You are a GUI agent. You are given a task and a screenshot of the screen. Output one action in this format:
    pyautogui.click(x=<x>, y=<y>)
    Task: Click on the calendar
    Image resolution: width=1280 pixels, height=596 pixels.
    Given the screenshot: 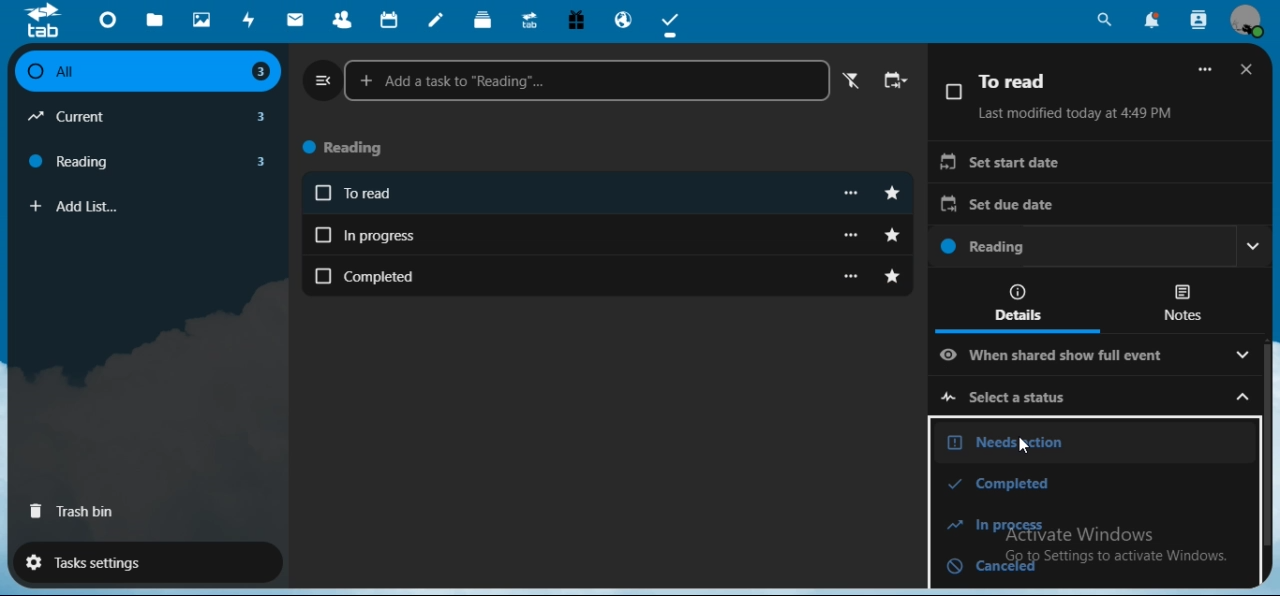 What is the action you would take?
    pyautogui.click(x=390, y=19)
    